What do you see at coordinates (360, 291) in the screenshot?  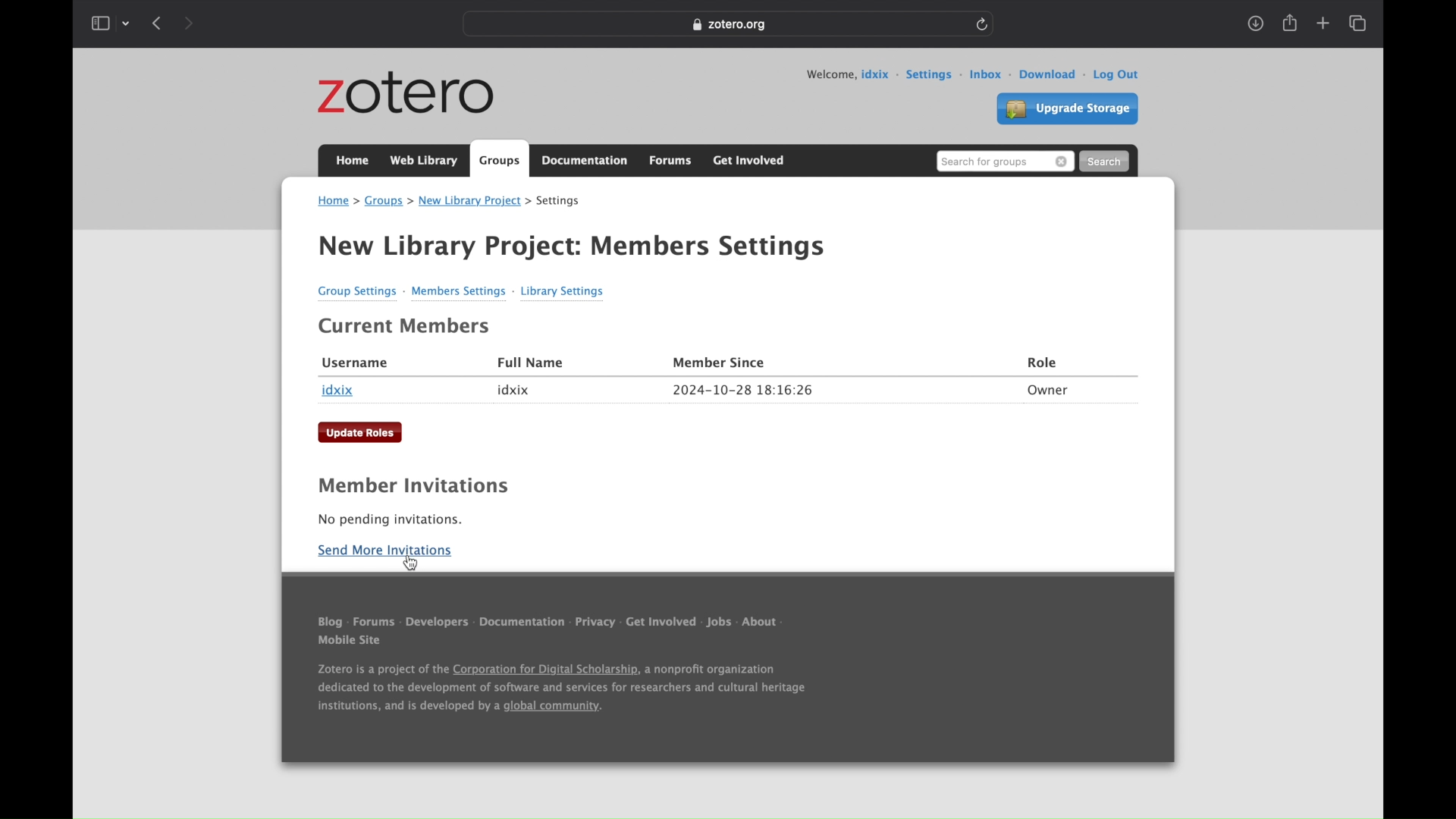 I see `group settings` at bounding box center [360, 291].